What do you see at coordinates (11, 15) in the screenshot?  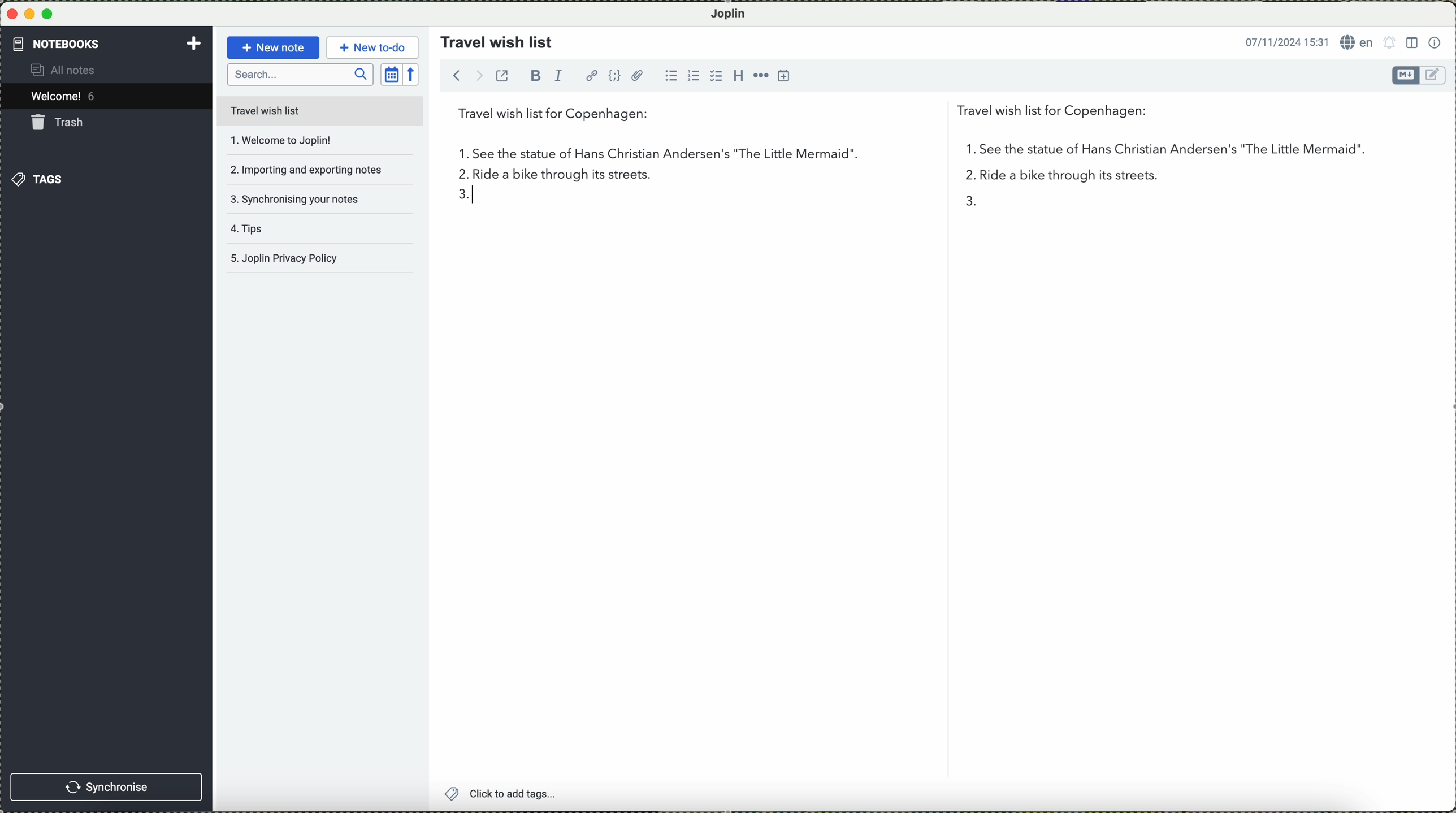 I see `close` at bounding box center [11, 15].